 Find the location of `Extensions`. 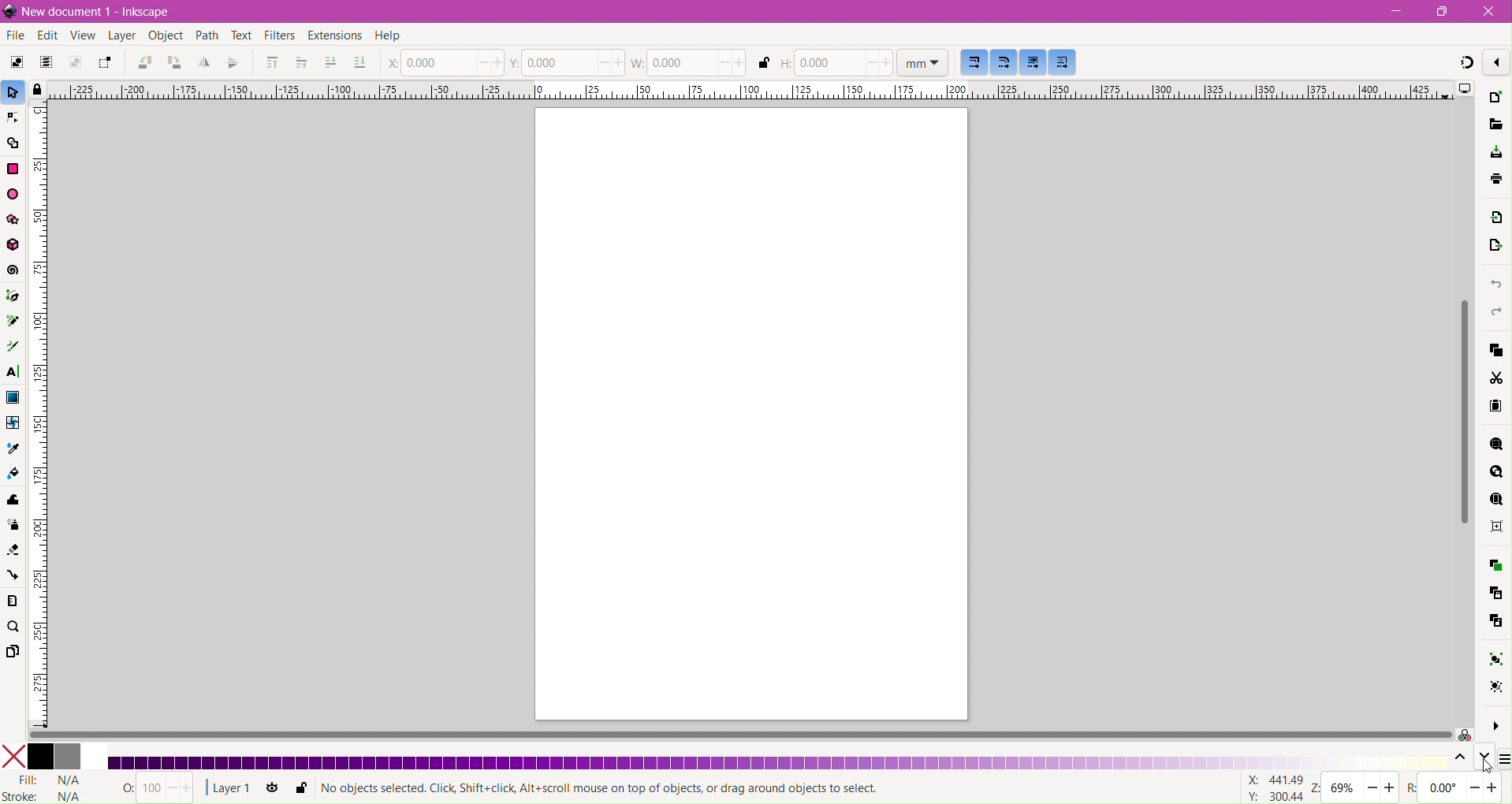

Extensions is located at coordinates (333, 36).